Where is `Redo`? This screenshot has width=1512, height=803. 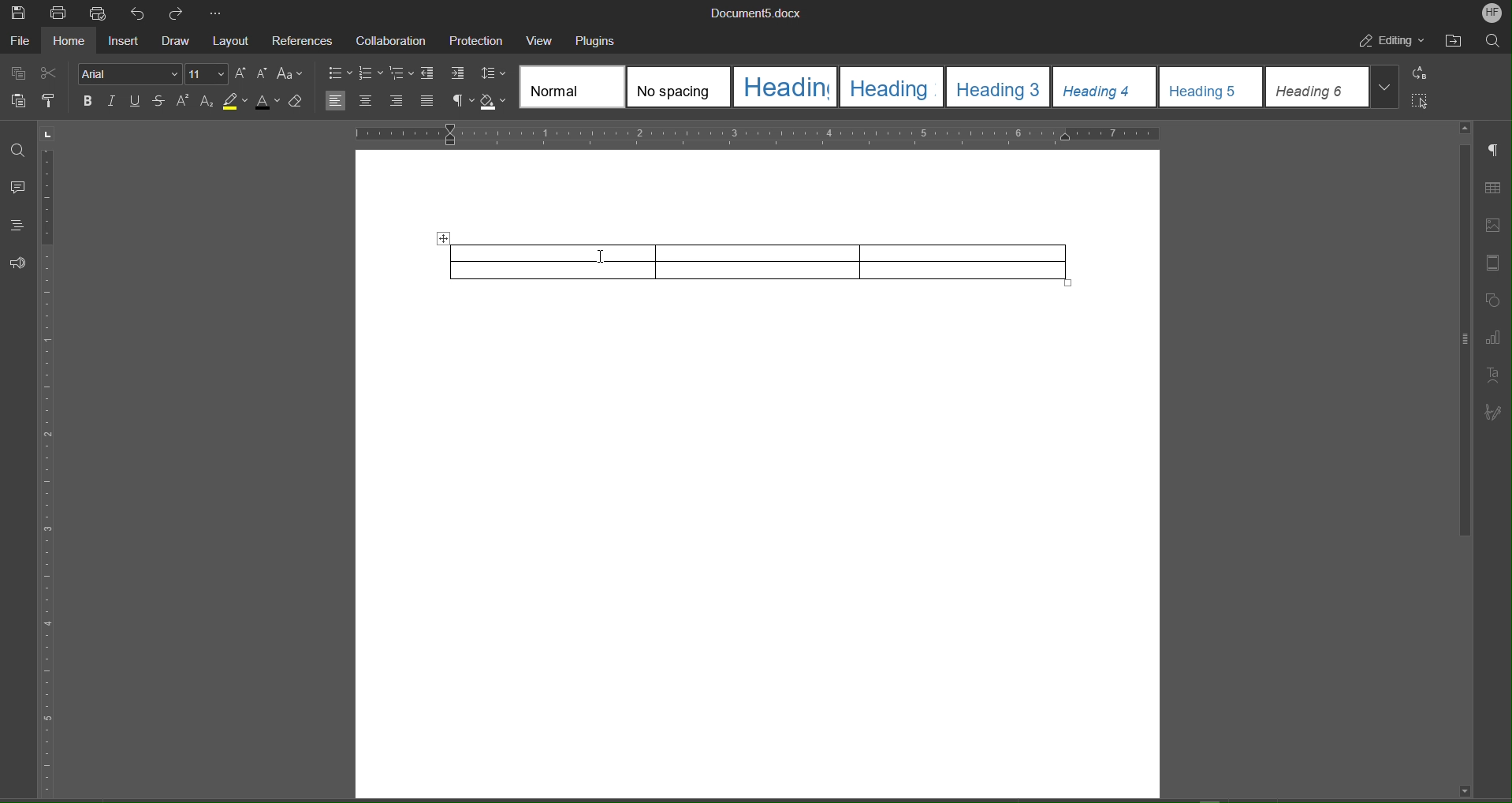 Redo is located at coordinates (182, 13).